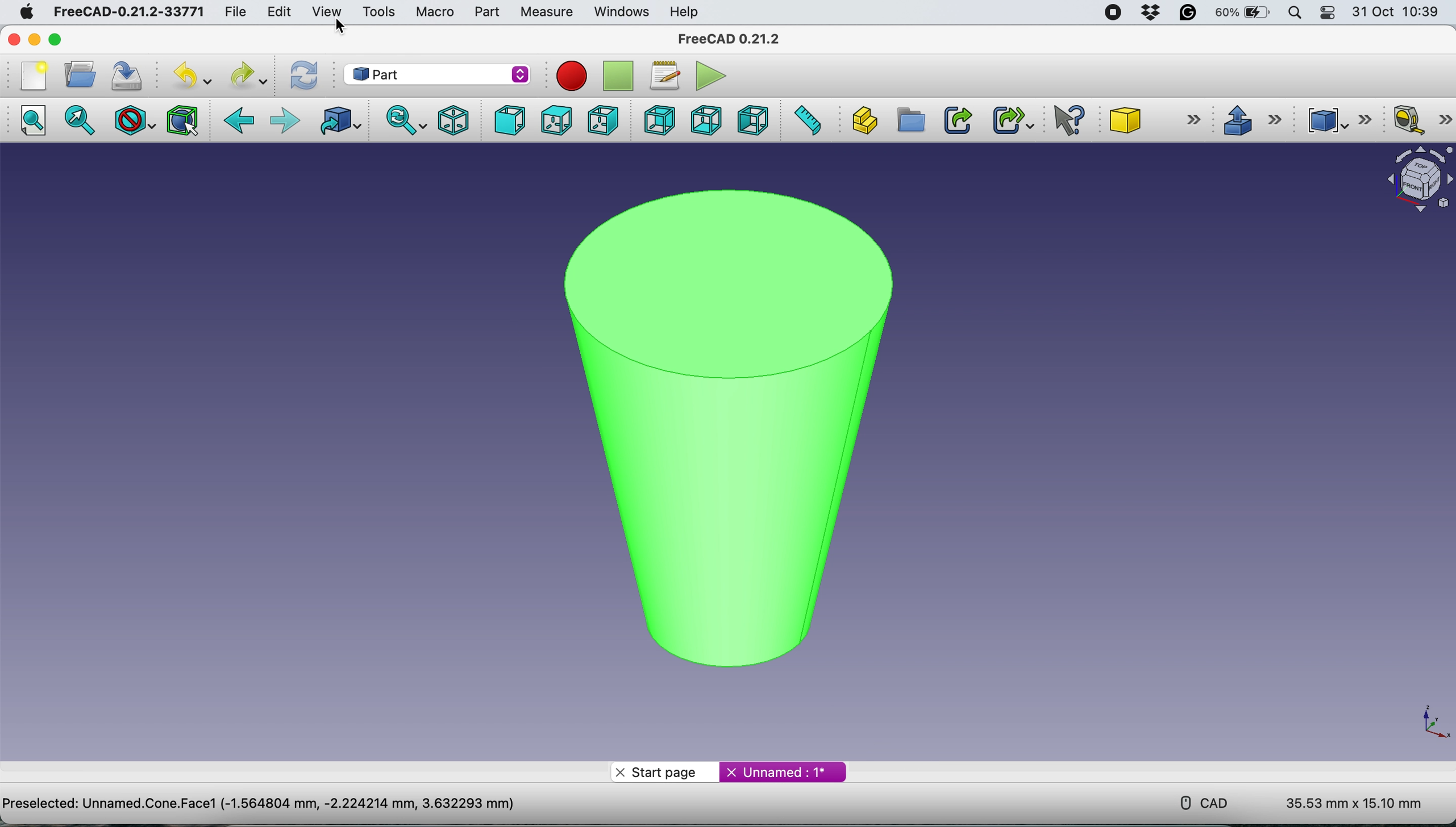 This screenshot has height=827, width=1456. Describe the element at coordinates (1189, 15) in the screenshot. I see `grammarly` at that location.